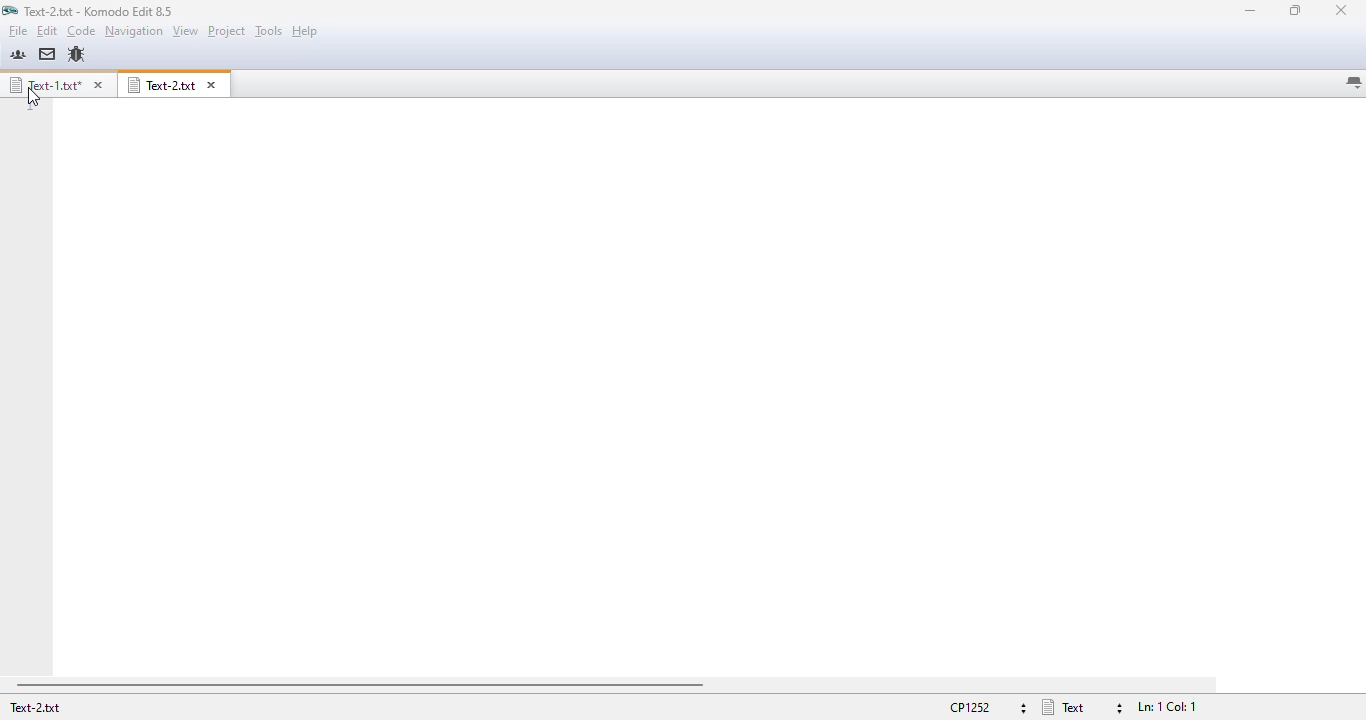 The image size is (1366, 720). Describe the element at coordinates (361, 686) in the screenshot. I see `horizontal scroll bar` at that location.